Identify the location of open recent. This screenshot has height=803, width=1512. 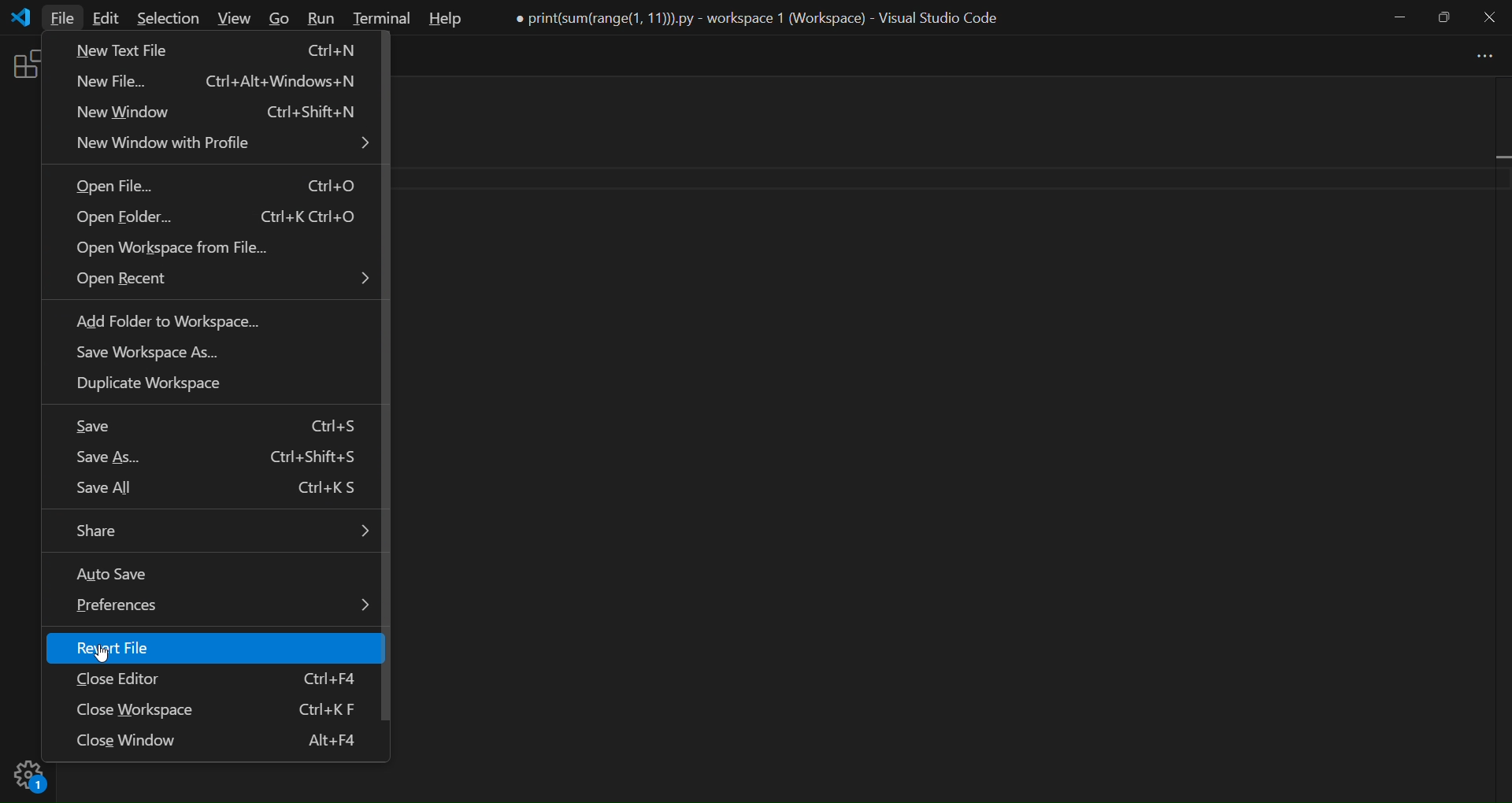
(224, 282).